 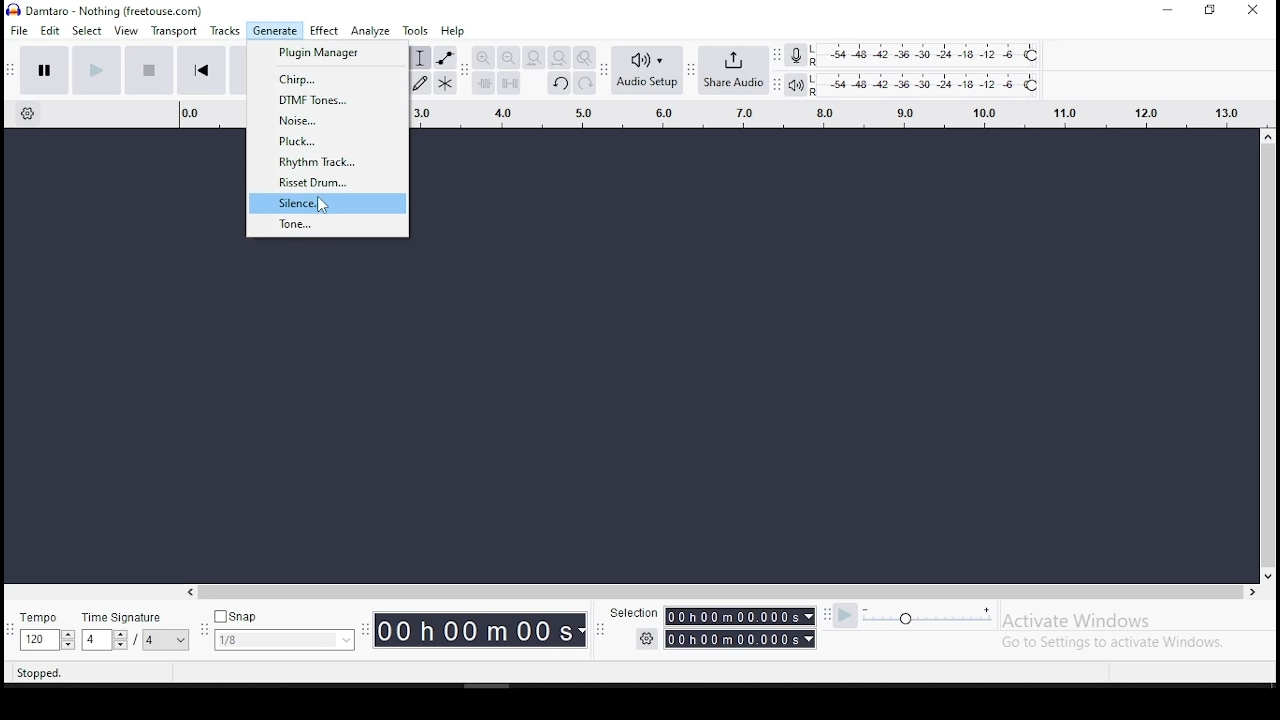 What do you see at coordinates (327, 203) in the screenshot?
I see `silence` at bounding box center [327, 203].